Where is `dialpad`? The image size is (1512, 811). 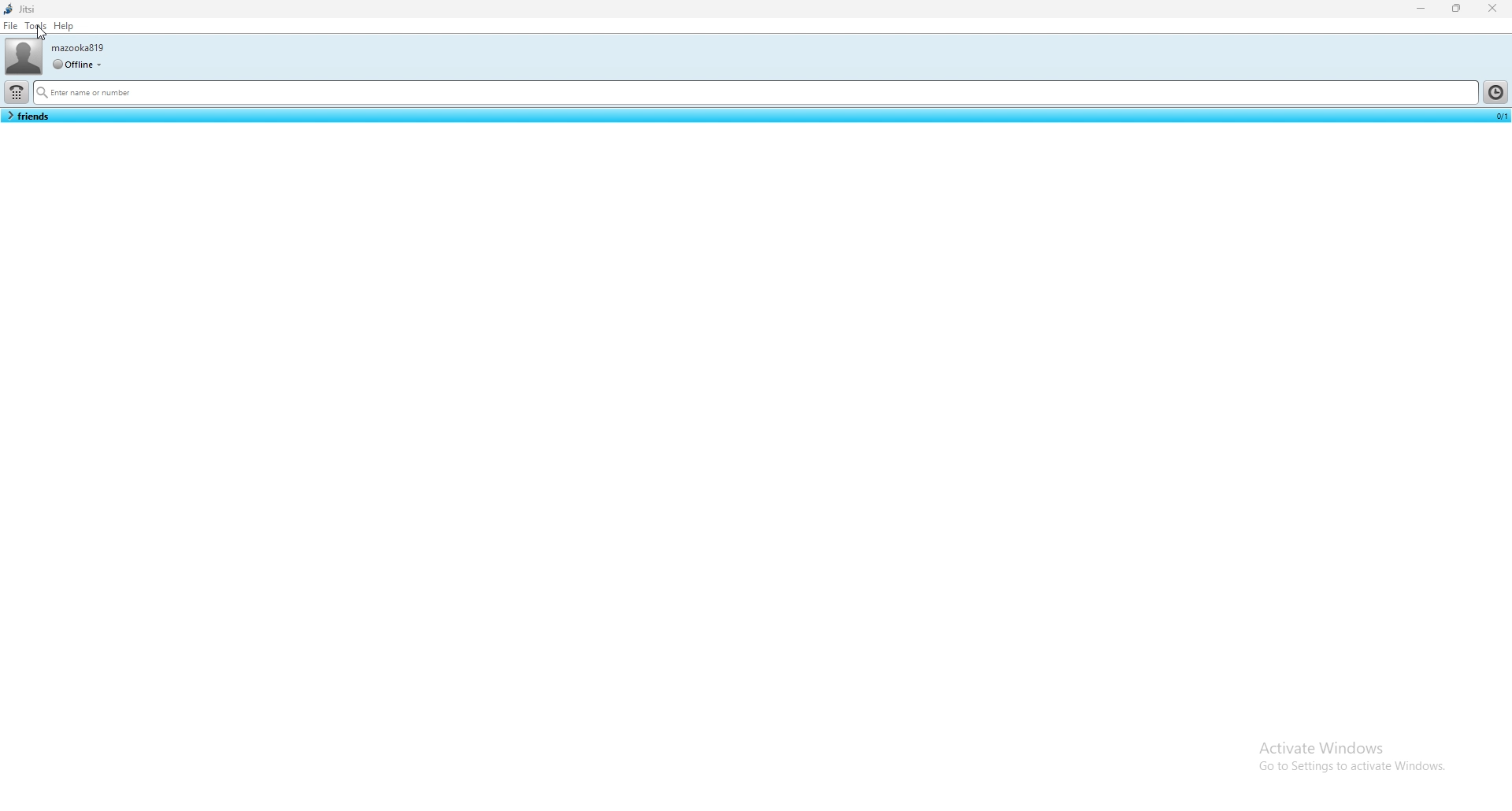
dialpad is located at coordinates (17, 92).